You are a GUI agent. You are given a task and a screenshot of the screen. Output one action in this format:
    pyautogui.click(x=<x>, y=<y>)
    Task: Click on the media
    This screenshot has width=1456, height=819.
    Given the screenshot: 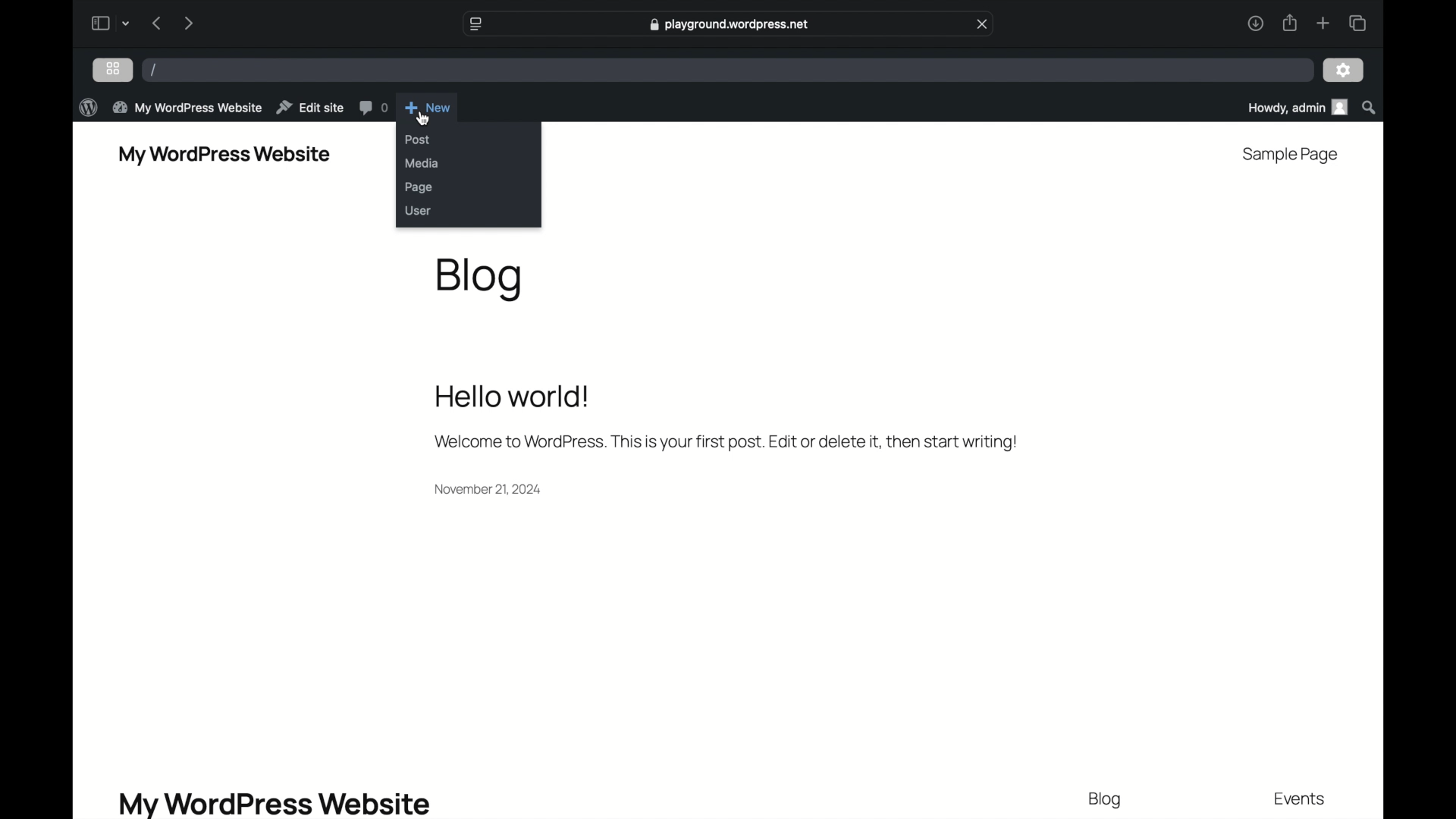 What is the action you would take?
    pyautogui.click(x=422, y=162)
    